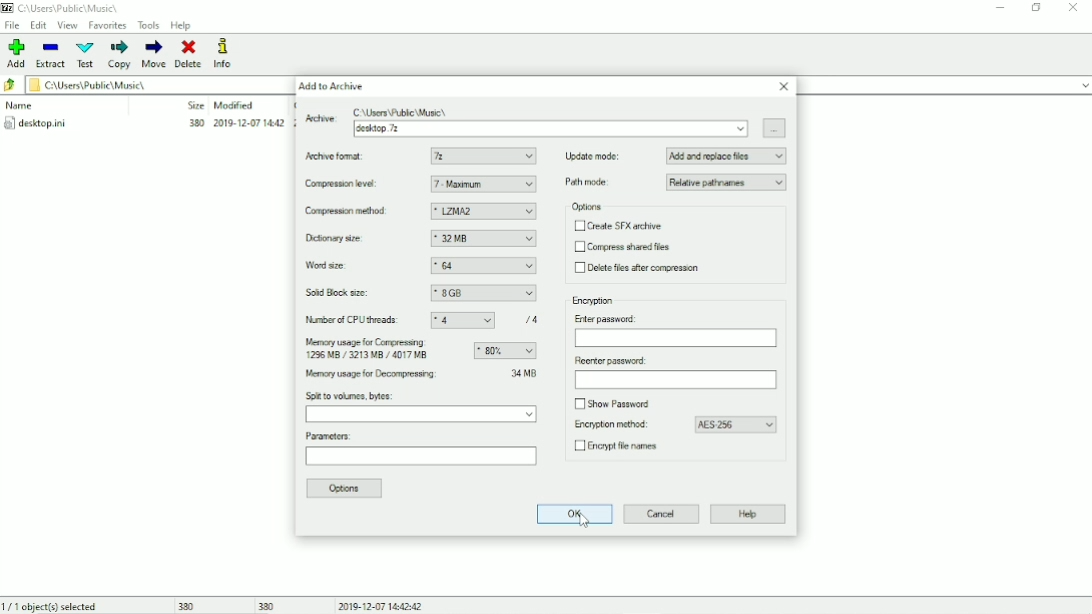  What do you see at coordinates (319, 122) in the screenshot?
I see `Archive` at bounding box center [319, 122].